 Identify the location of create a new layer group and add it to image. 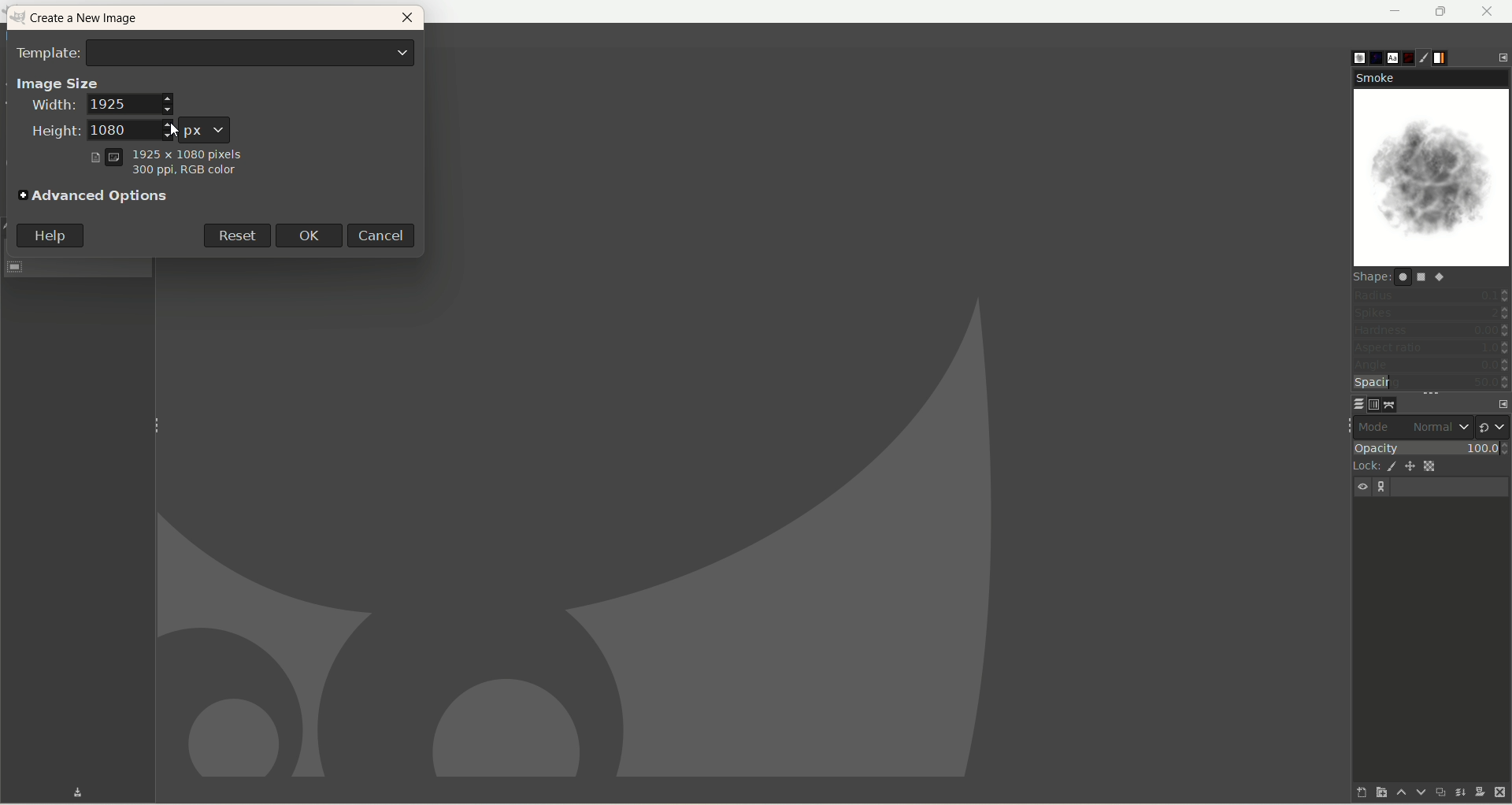
(1373, 793).